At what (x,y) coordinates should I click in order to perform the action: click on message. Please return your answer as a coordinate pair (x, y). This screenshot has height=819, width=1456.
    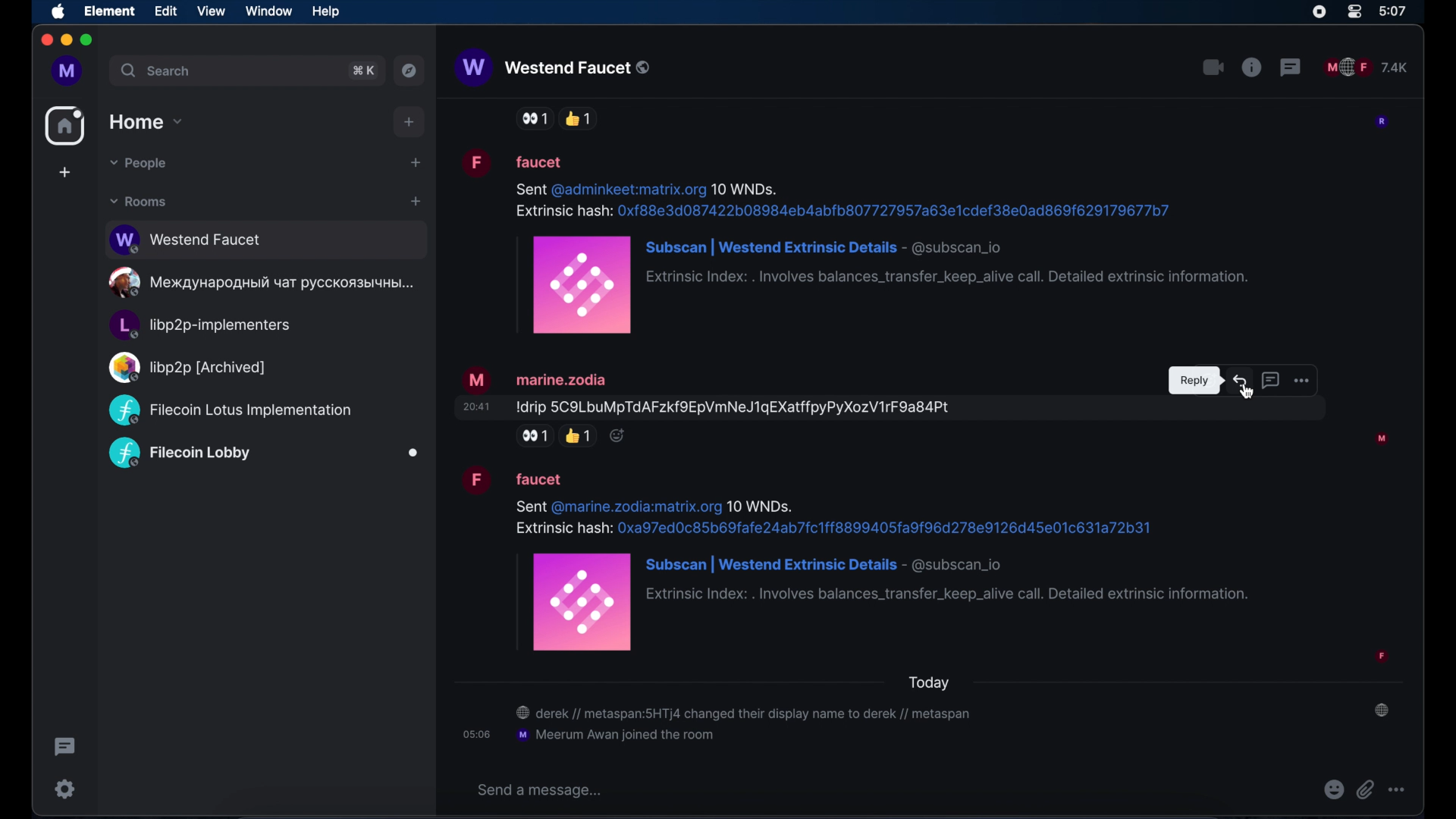
    Looking at the image, I should click on (855, 240).